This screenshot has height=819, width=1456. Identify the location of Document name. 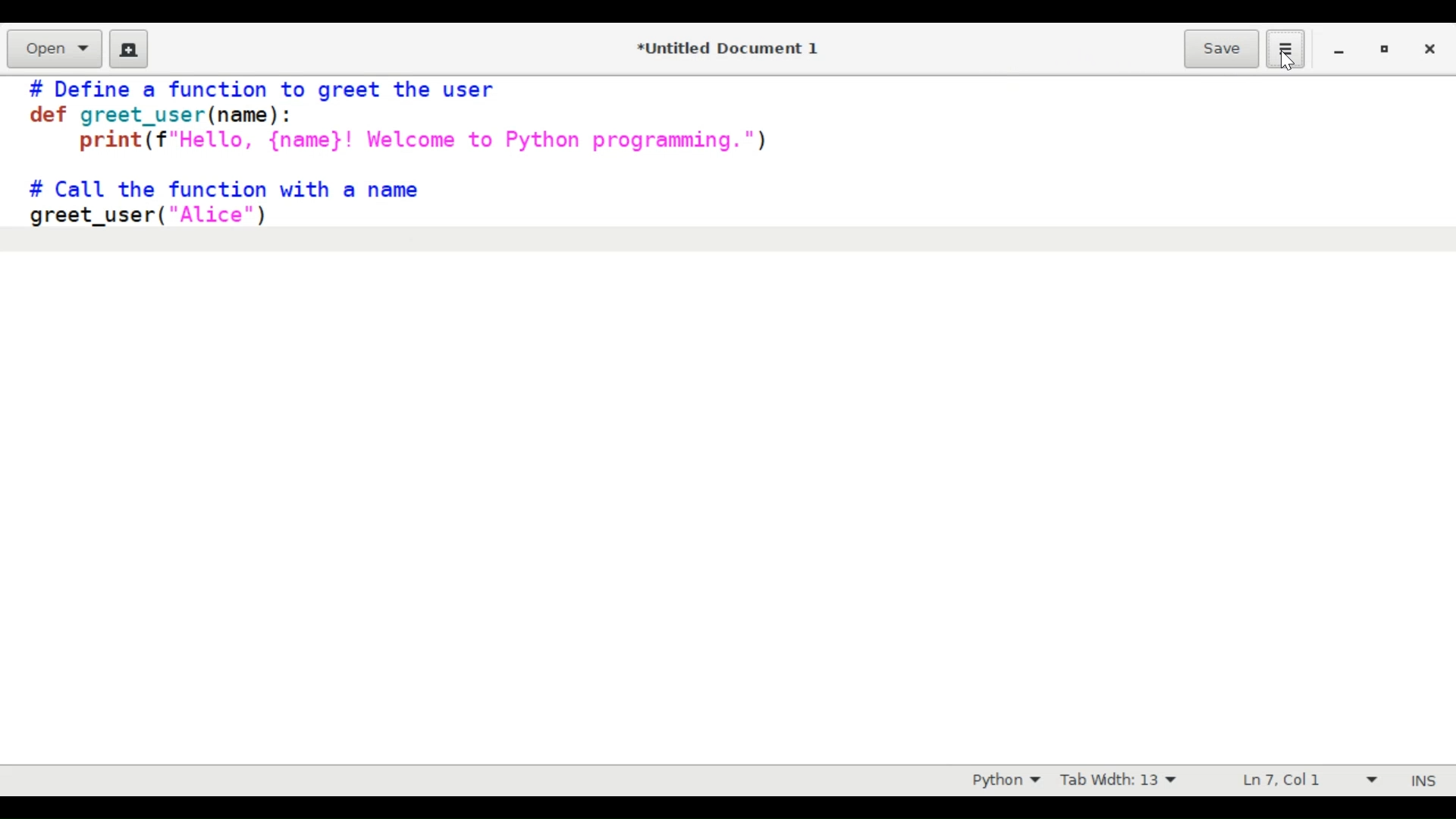
(732, 49).